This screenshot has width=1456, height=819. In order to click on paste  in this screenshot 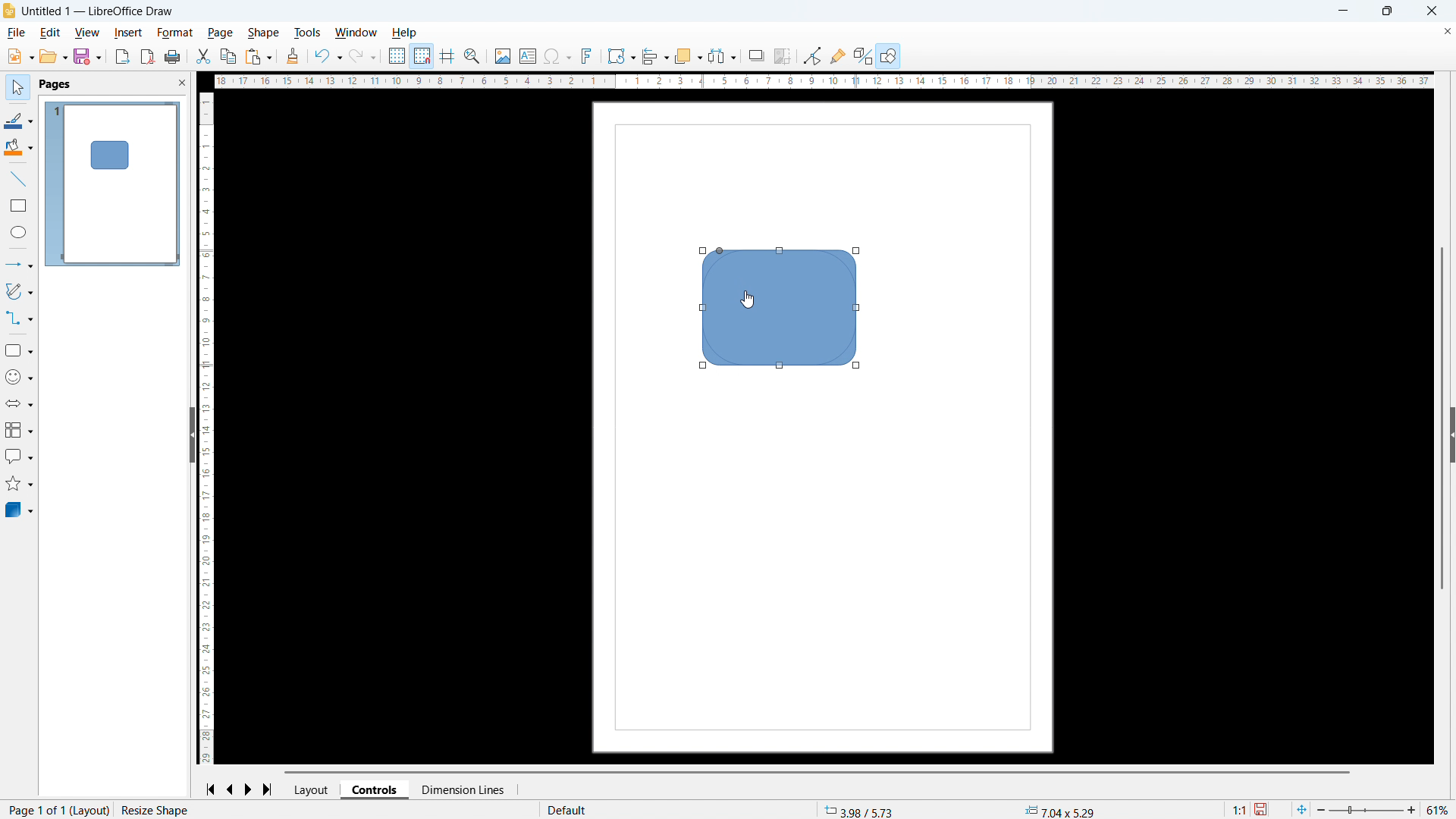, I will do `click(259, 58)`.